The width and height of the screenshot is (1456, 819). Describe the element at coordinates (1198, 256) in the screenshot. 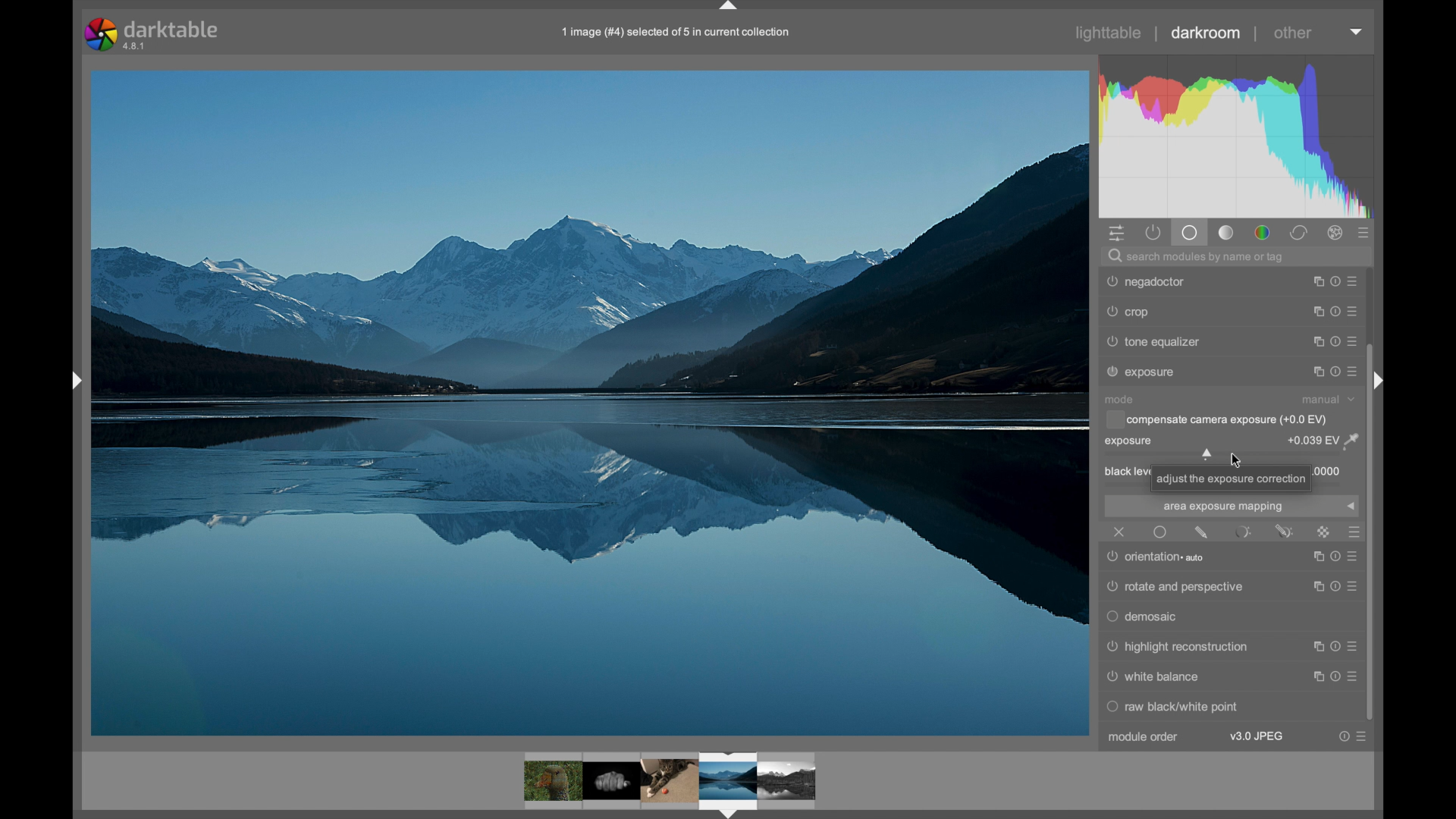

I see `search modules by name or tag` at that location.